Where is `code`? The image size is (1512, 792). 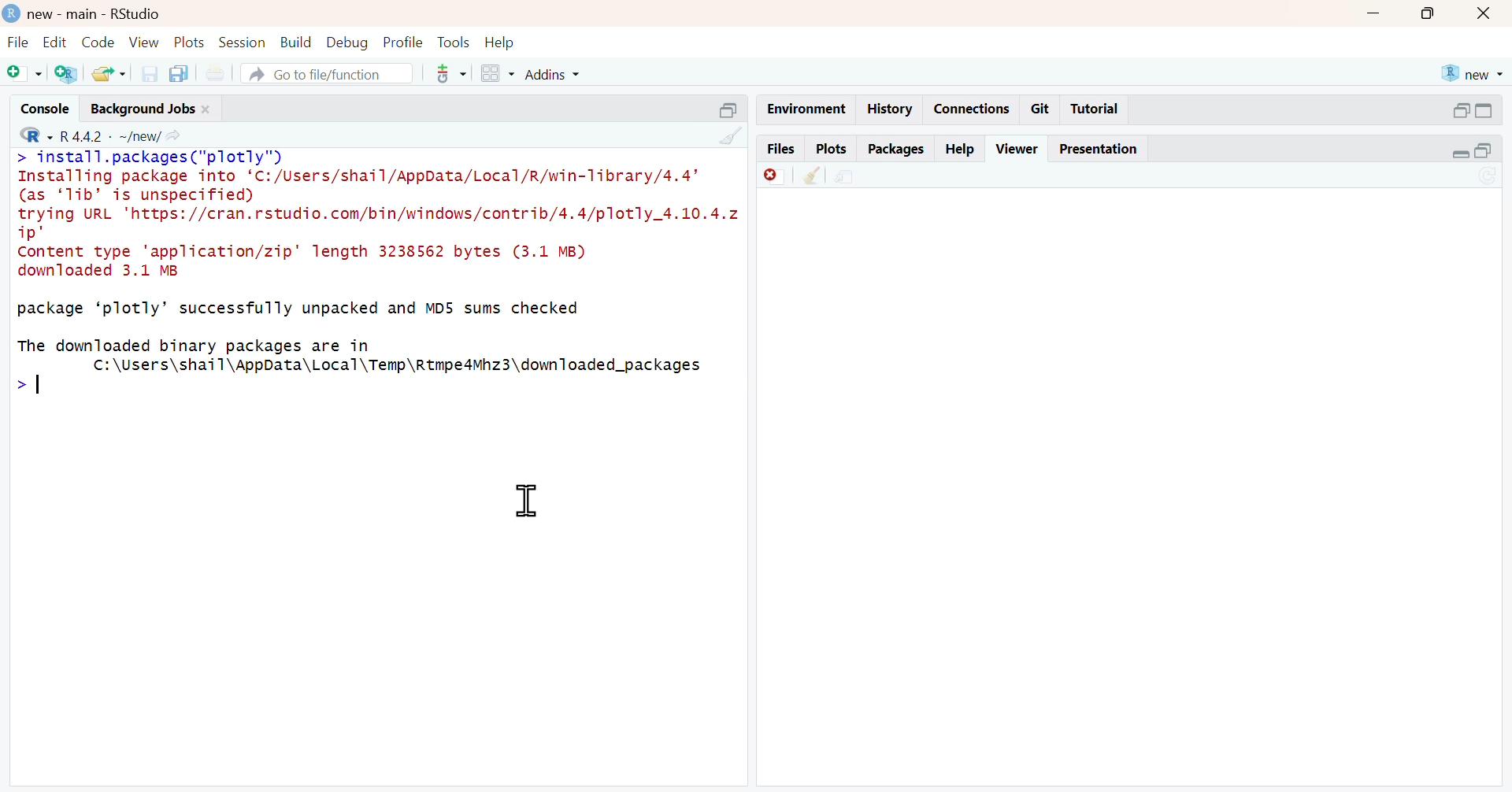 code is located at coordinates (96, 43).